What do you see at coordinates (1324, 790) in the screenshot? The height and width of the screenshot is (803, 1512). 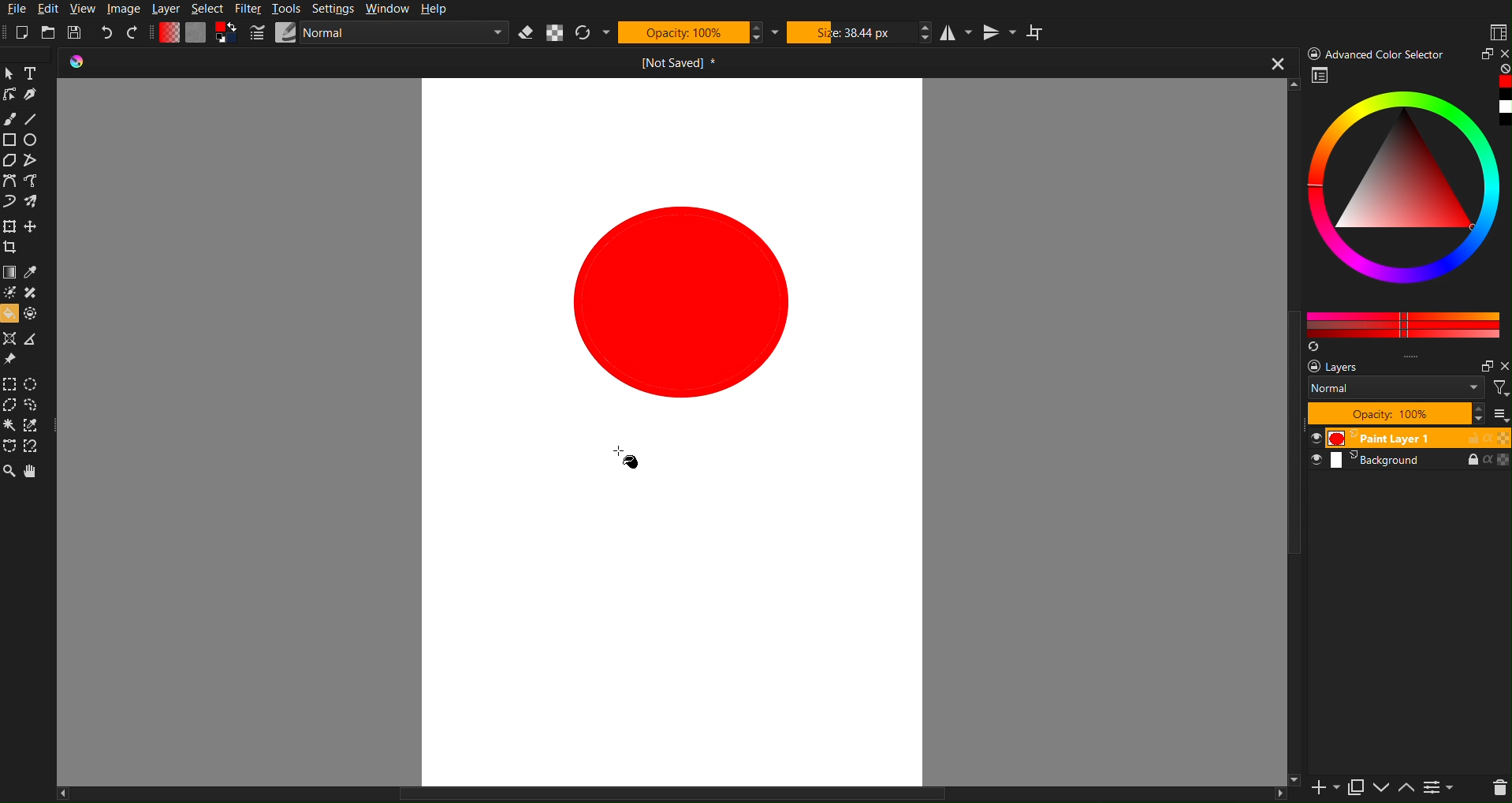 I see `Add` at bounding box center [1324, 790].